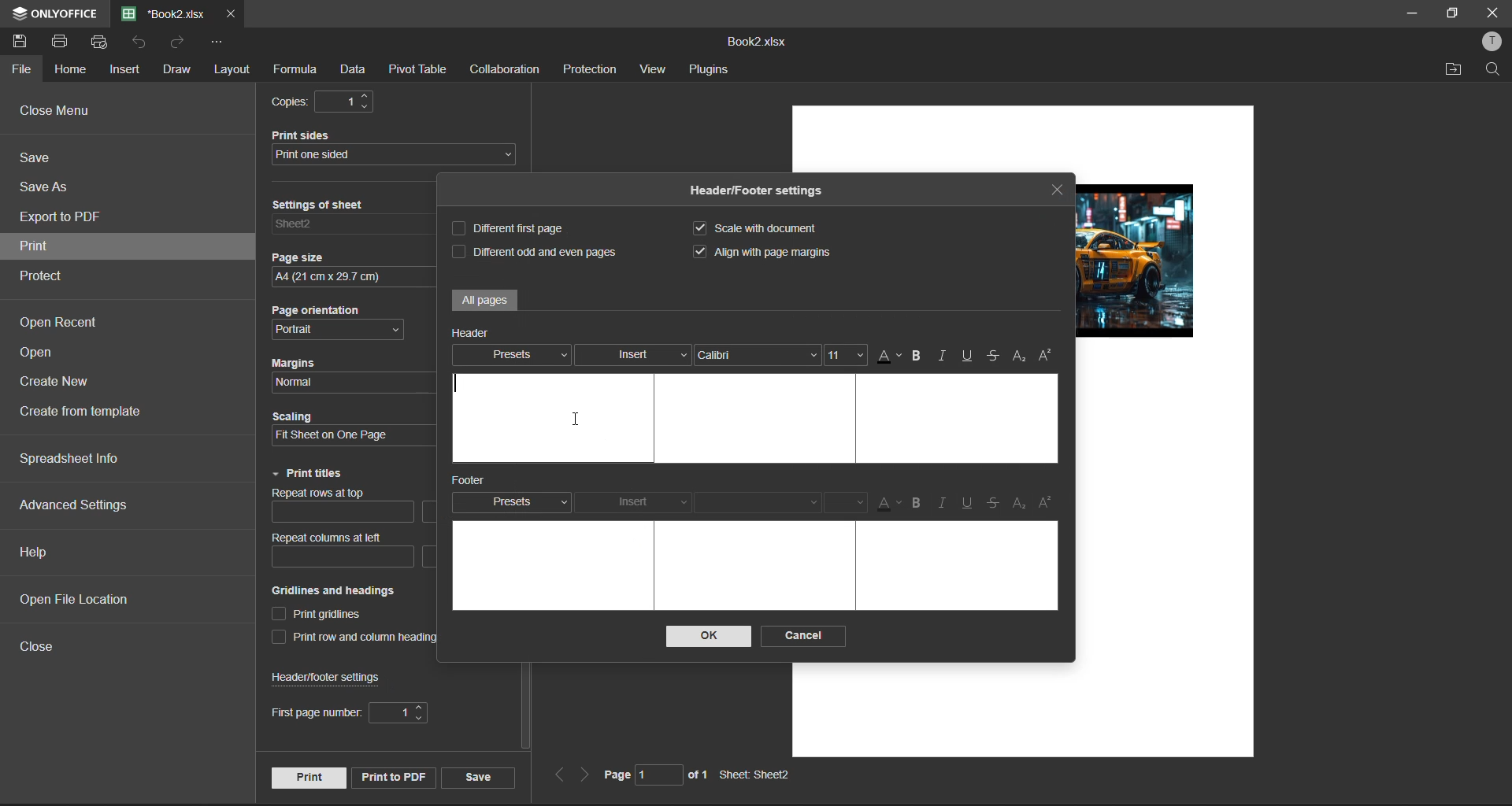 This screenshot has width=1512, height=806. Describe the element at coordinates (308, 474) in the screenshot. I see `print titles` at that location.